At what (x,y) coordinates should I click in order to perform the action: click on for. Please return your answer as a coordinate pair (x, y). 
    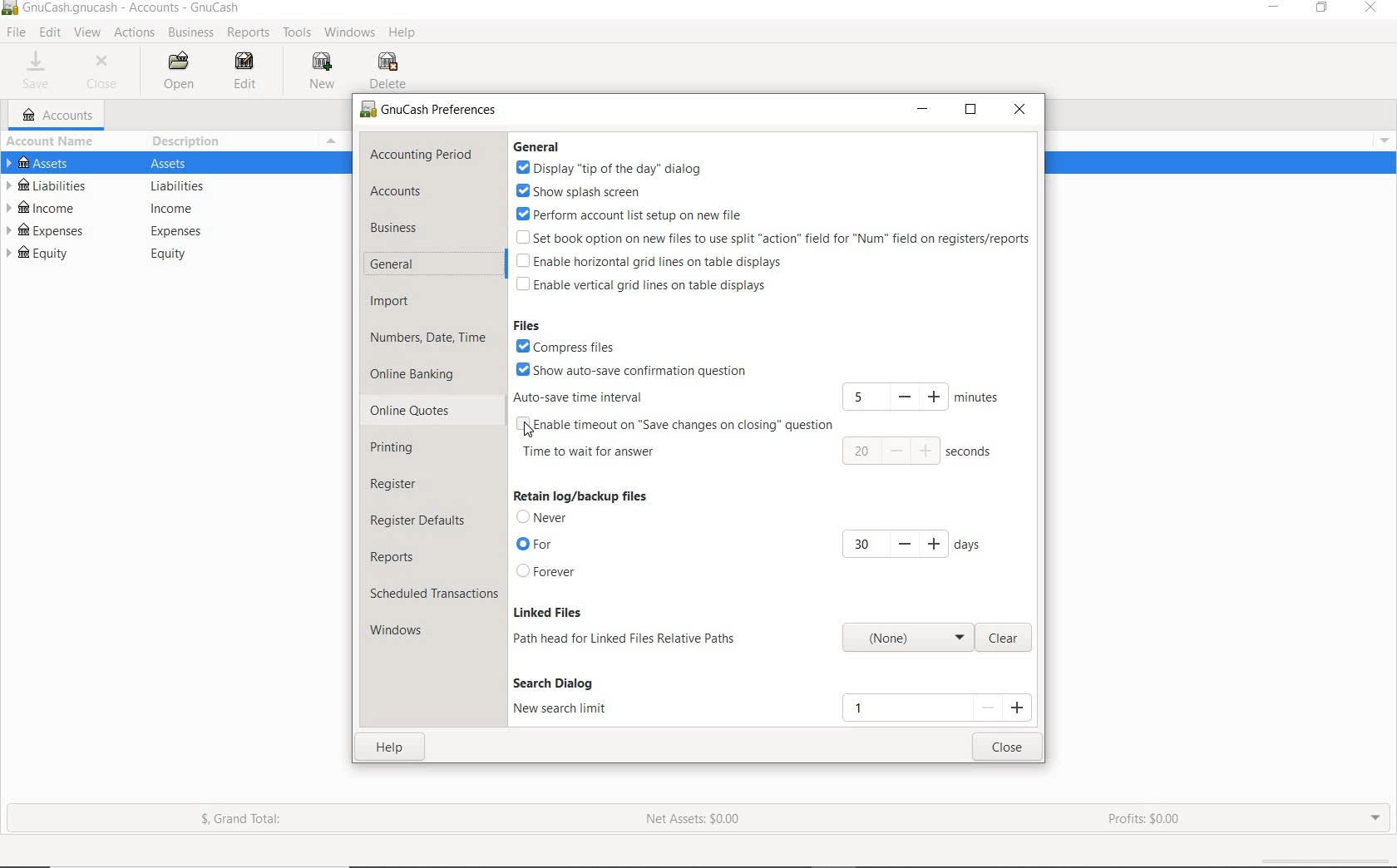
    Looking at the image, I should click on (536, 545).